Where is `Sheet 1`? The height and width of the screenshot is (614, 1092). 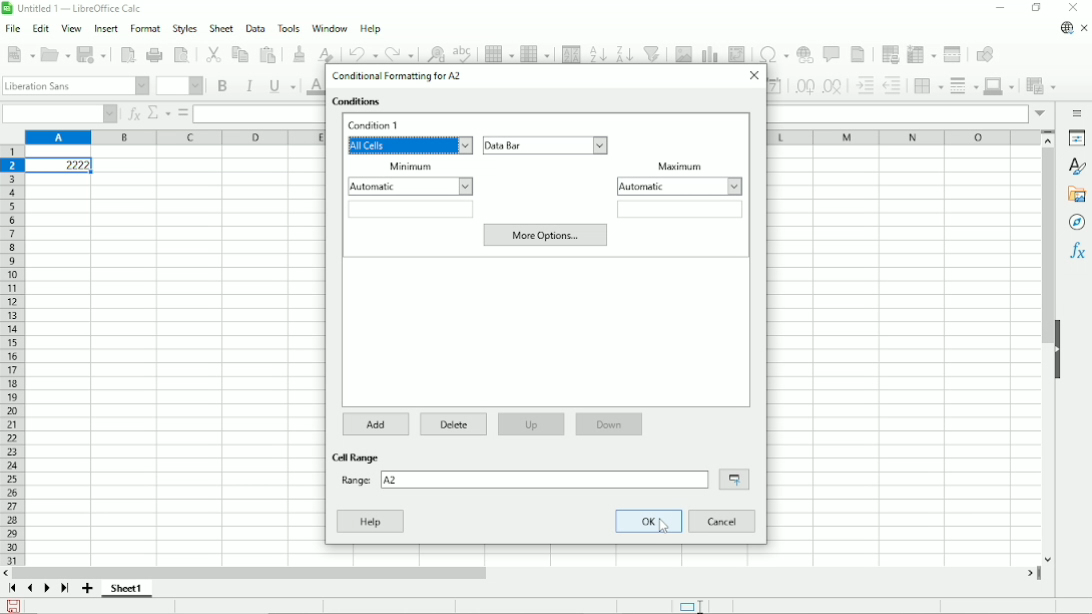
Sheet 1 is located at coordinates (127, 589).